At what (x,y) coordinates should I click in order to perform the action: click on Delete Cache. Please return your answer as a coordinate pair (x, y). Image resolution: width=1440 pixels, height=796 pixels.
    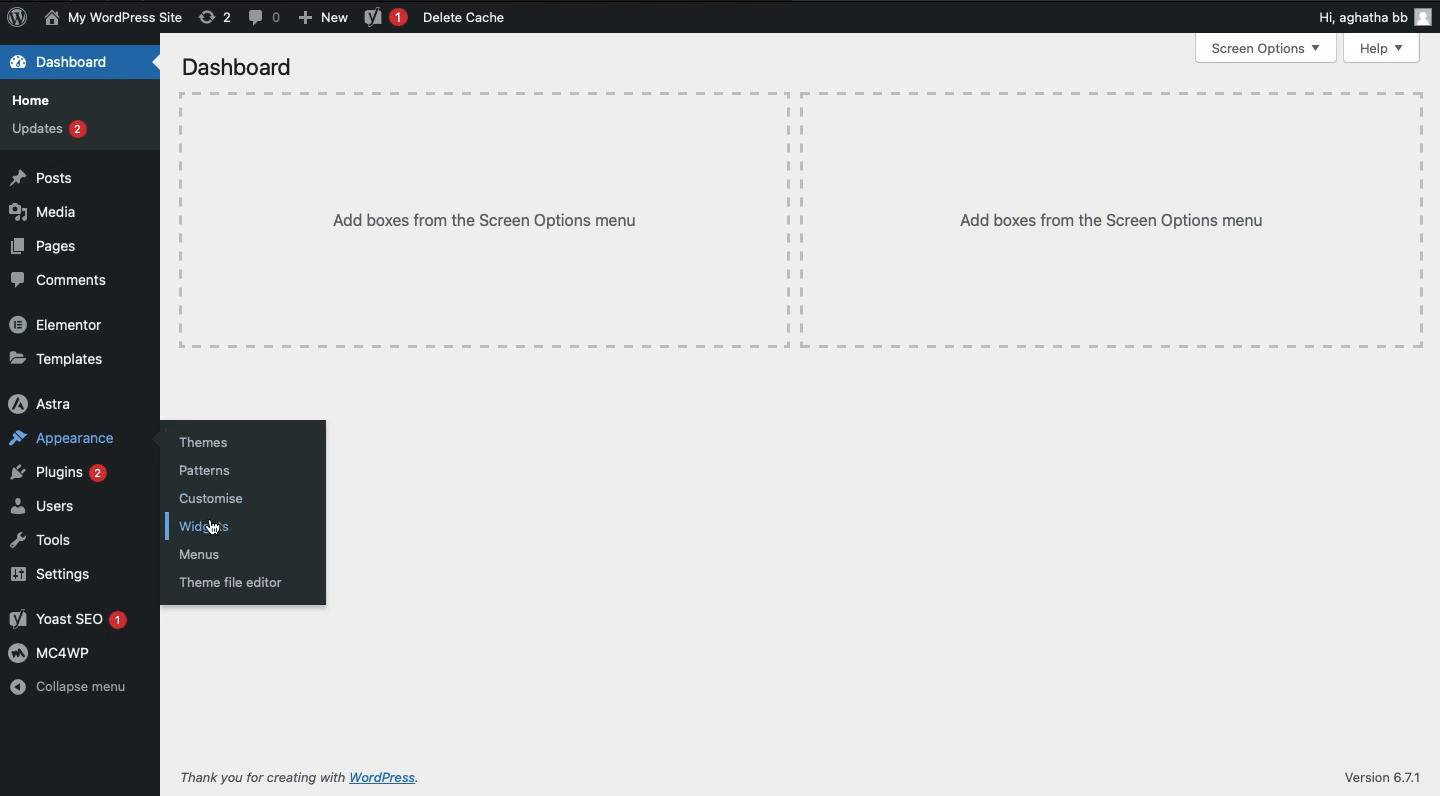
    Looking at the image, I should click on (441, 19).